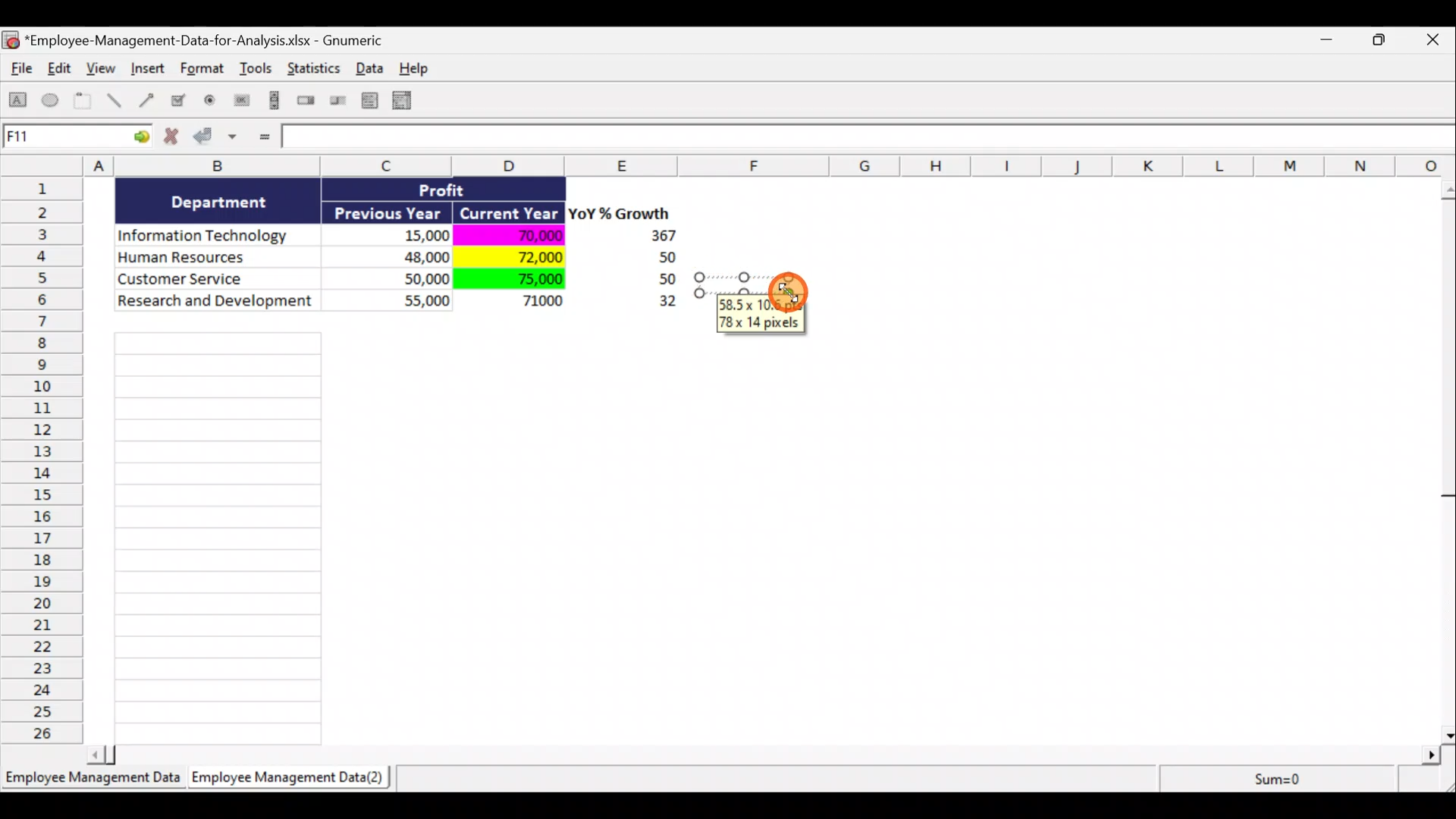  What do you see at coordinates (179, 100) in the screenshot?
I see `Create a checkbox` at bounding box center [179, 100].